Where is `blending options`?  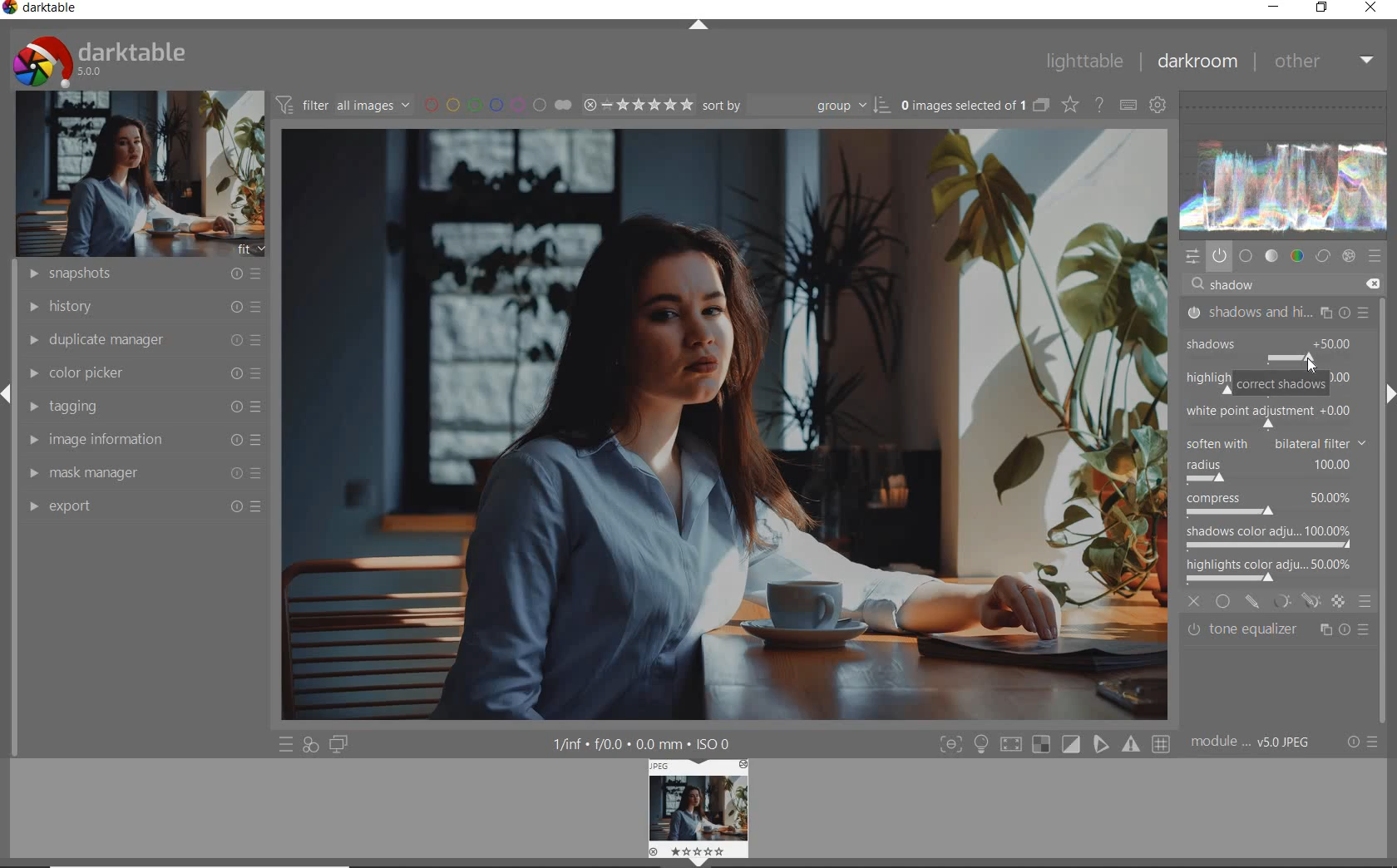
blending options is located at coordinates (1365, 601).